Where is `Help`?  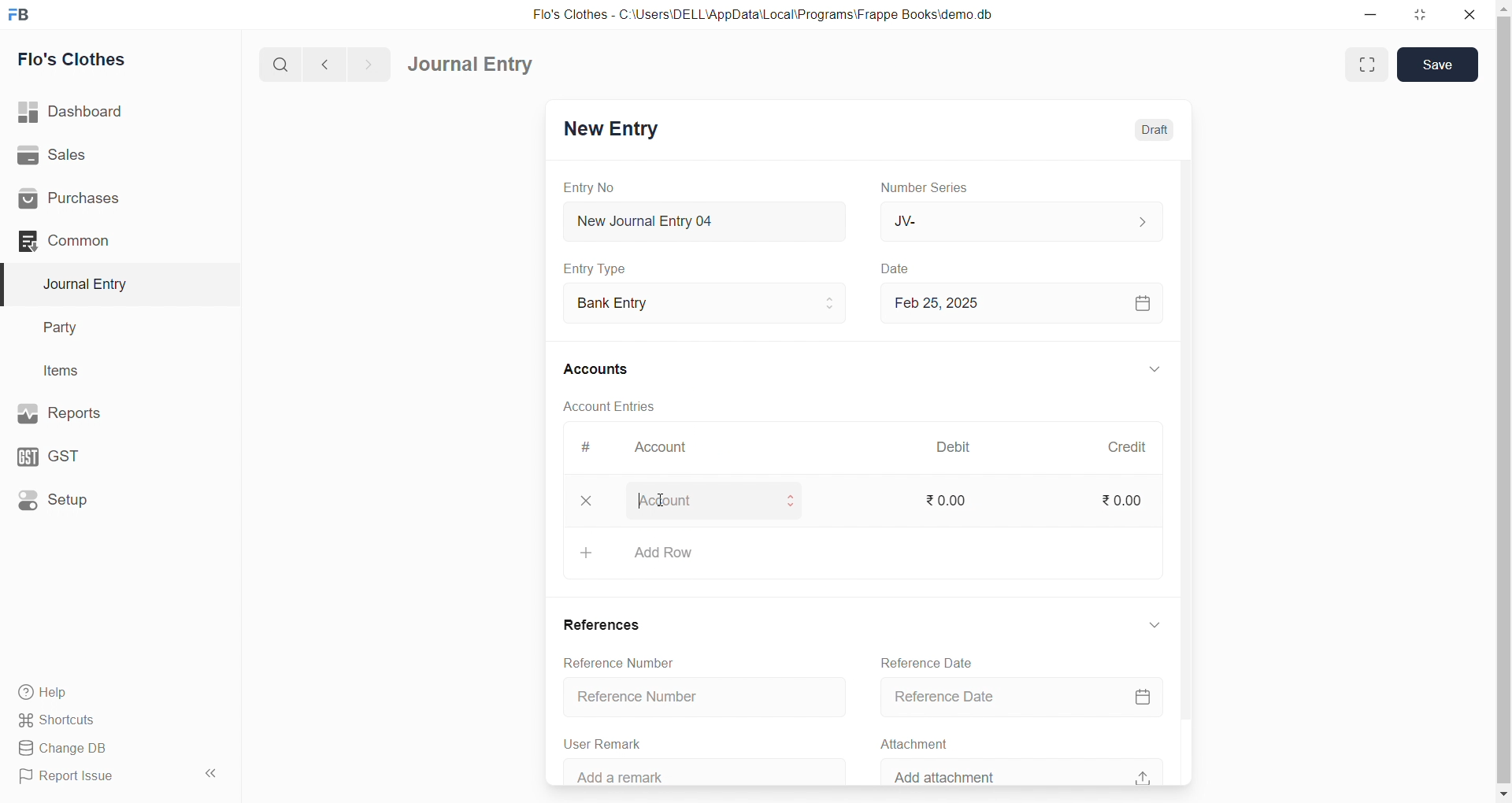 Help is located at coordinates (114, 691).